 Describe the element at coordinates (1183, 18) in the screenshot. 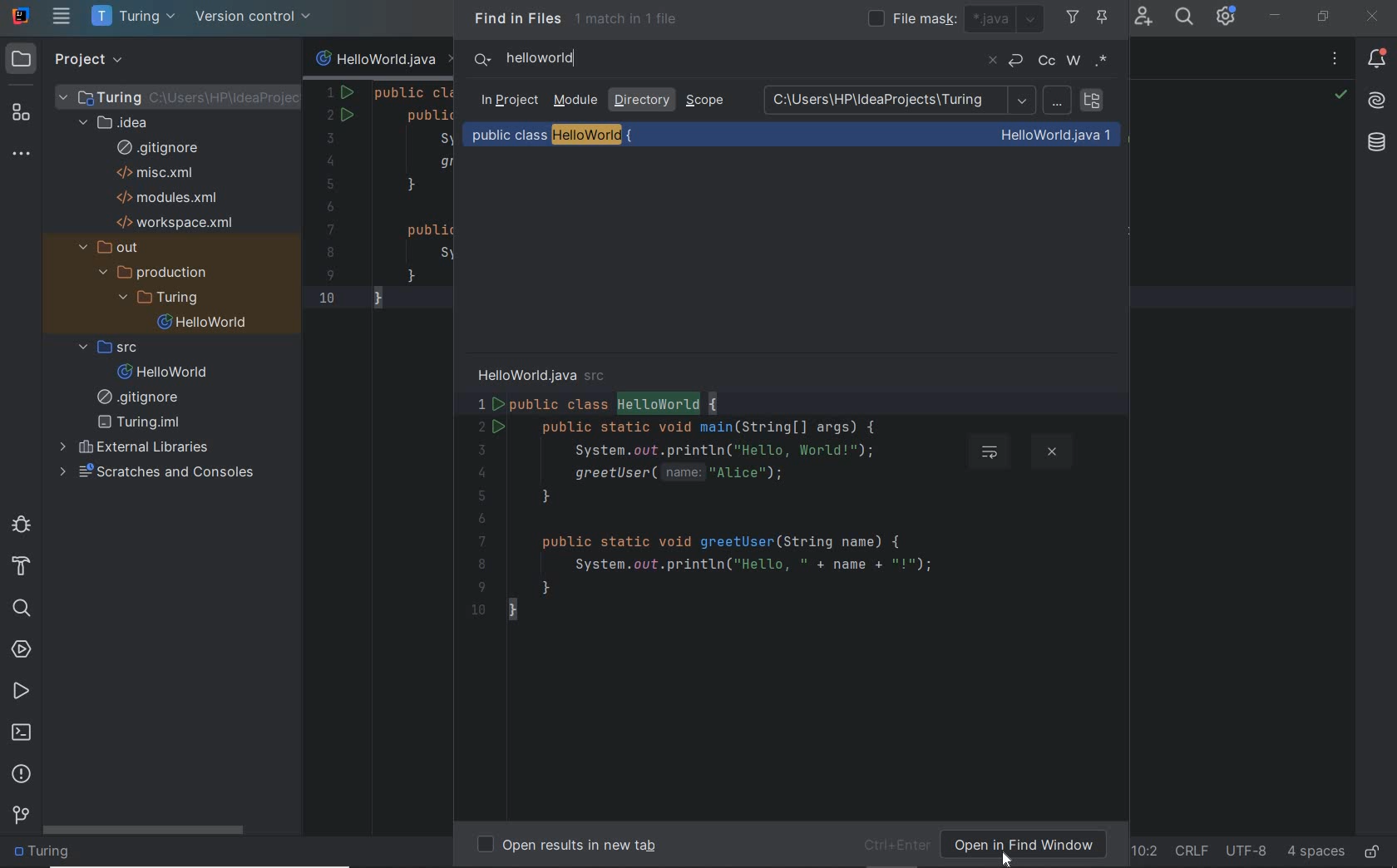

I see `search everywhere` at that location.